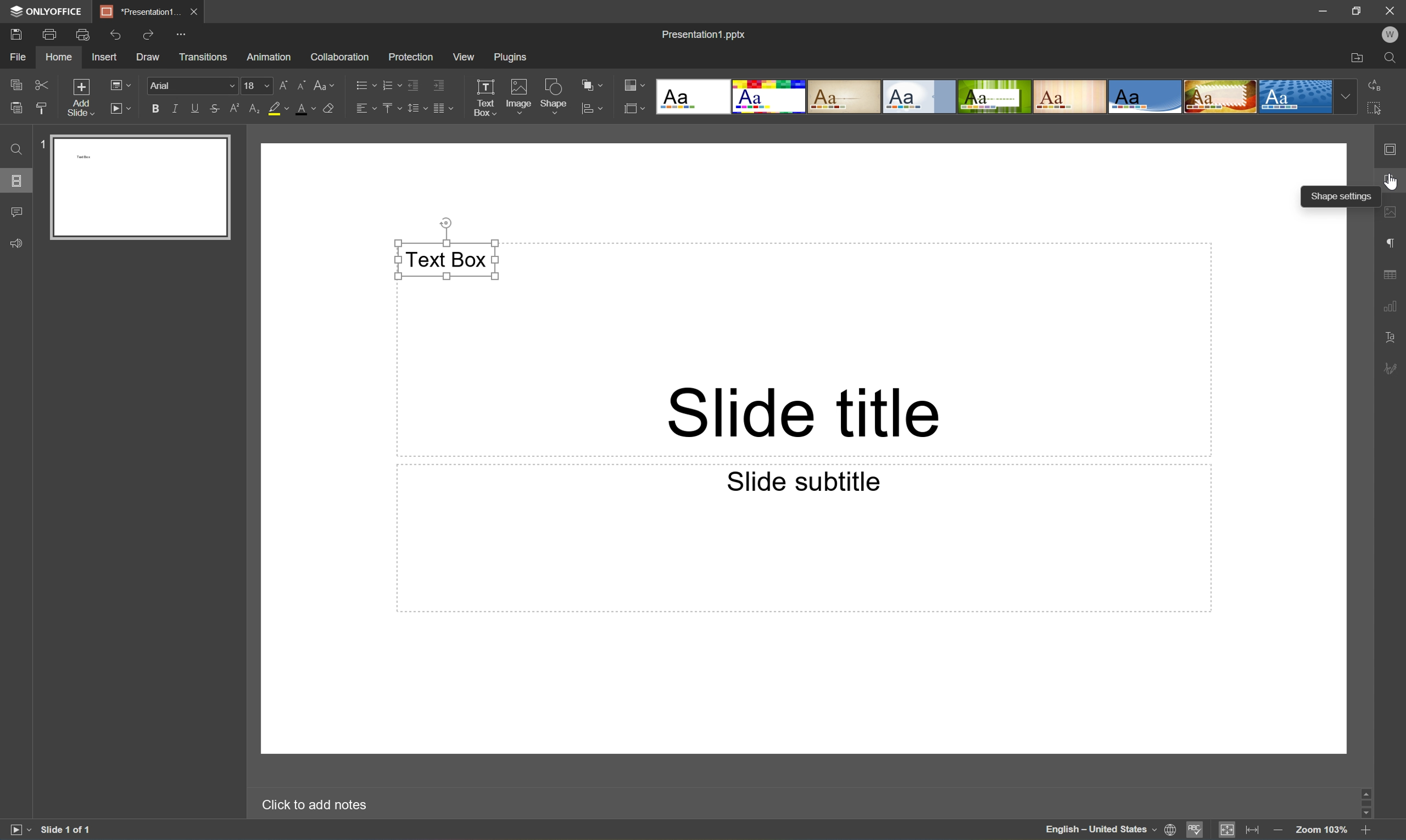  I want to click on *Presentation1..., so click(140, 12).